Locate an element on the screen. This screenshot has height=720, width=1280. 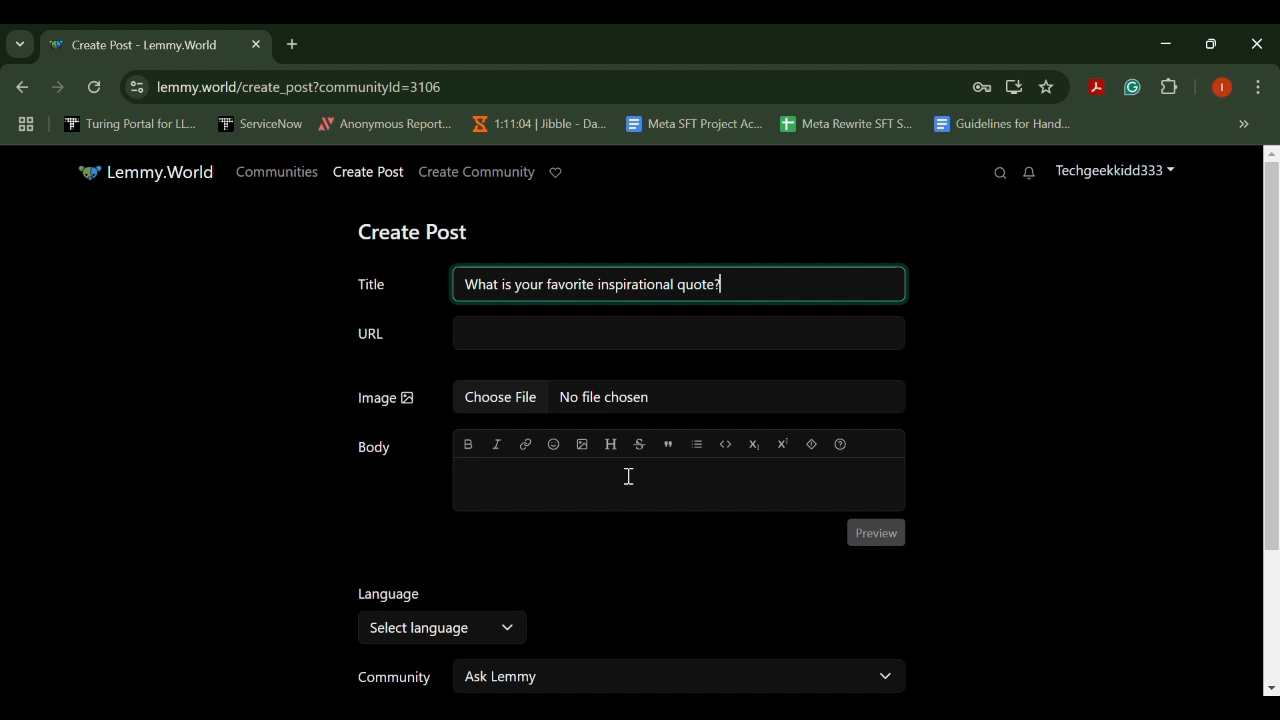
Techgeekkidd333 is located at coordinates (1114, 173).